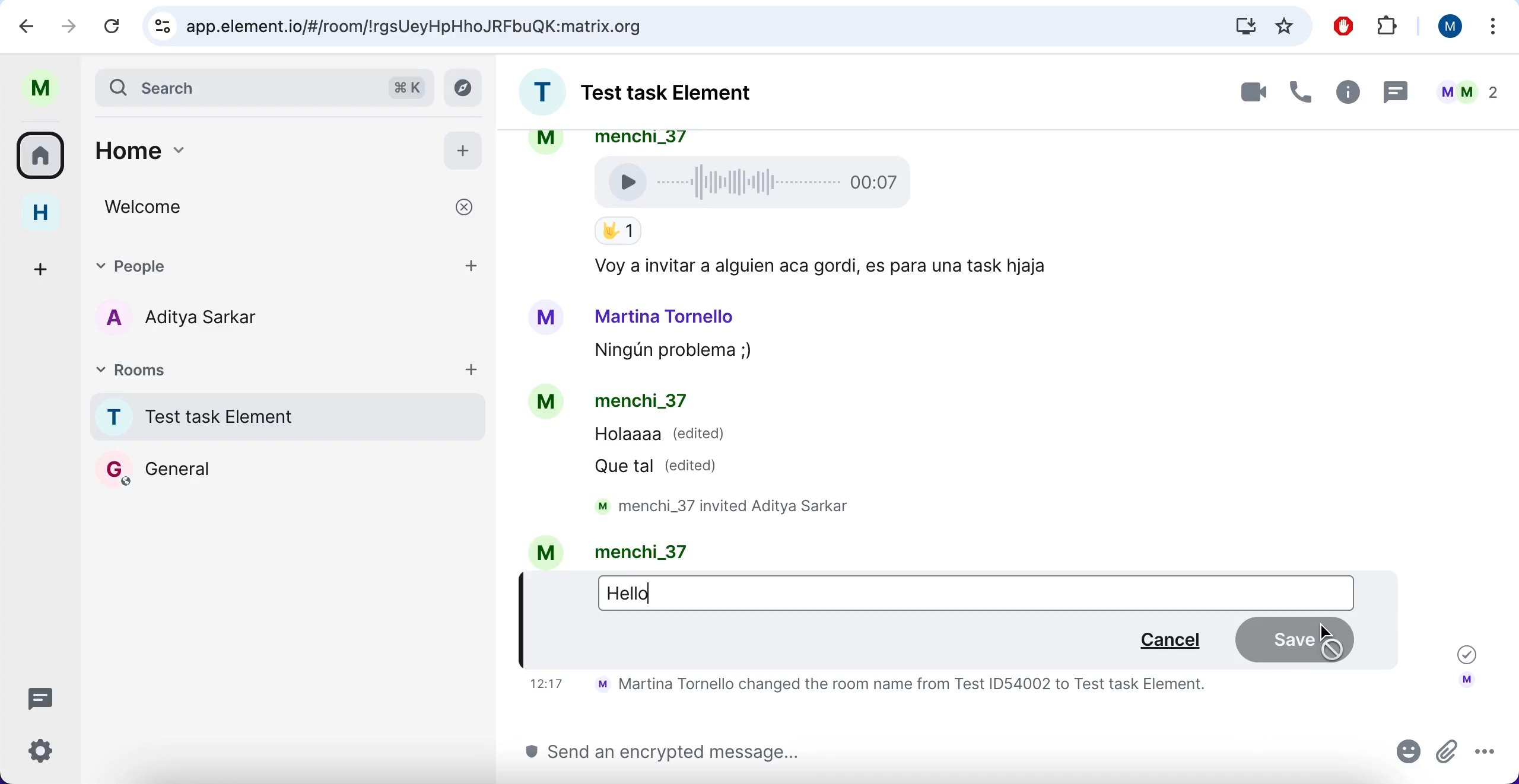  What do you see at coordinates (263, 86) in the screenshot?
I see `search bar` at bounding box center [263, 86].